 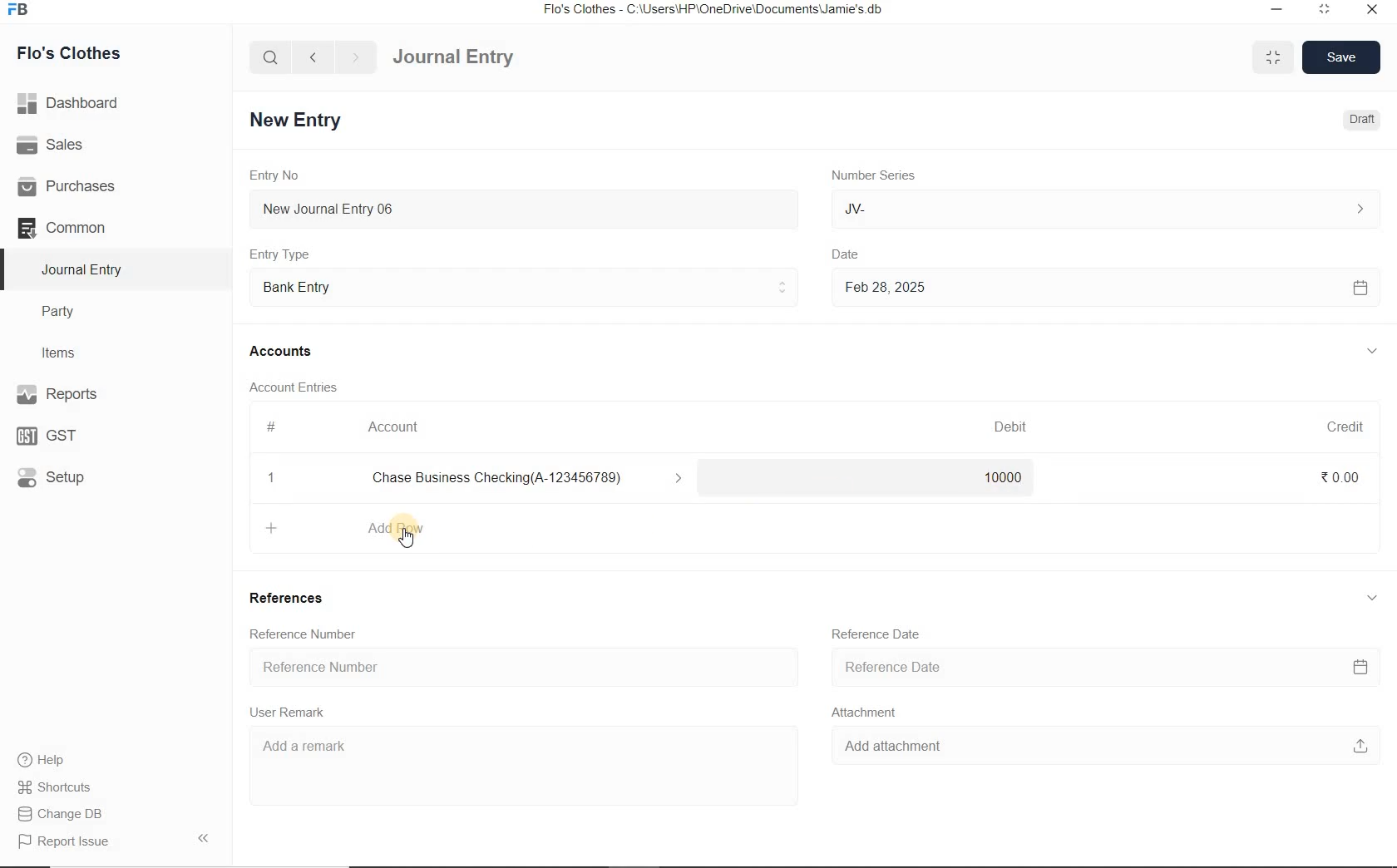 I want to click on Reference Date, so click(x=1103, y=668).